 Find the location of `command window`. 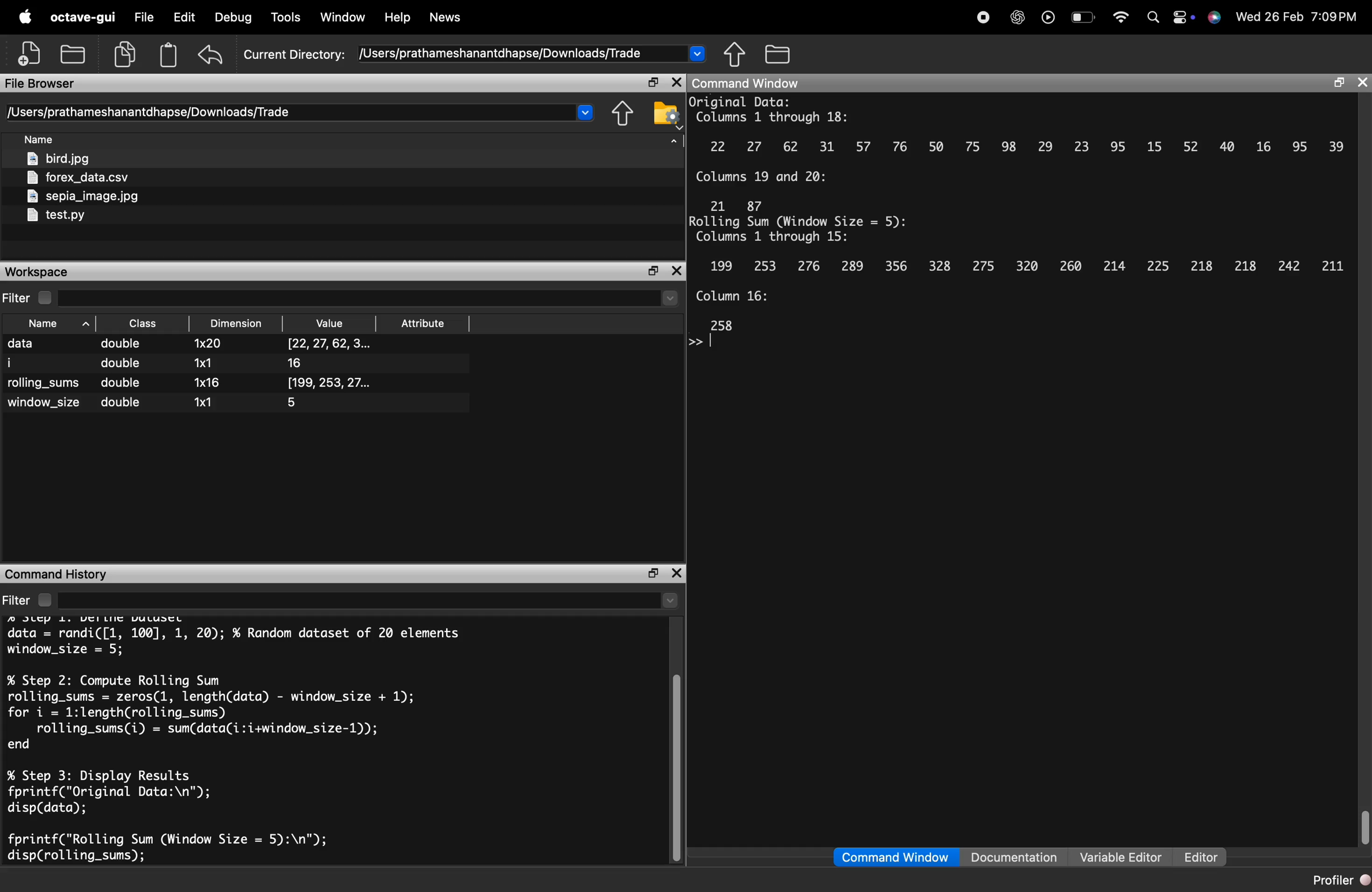

command window is located at coordinates (894, 857).